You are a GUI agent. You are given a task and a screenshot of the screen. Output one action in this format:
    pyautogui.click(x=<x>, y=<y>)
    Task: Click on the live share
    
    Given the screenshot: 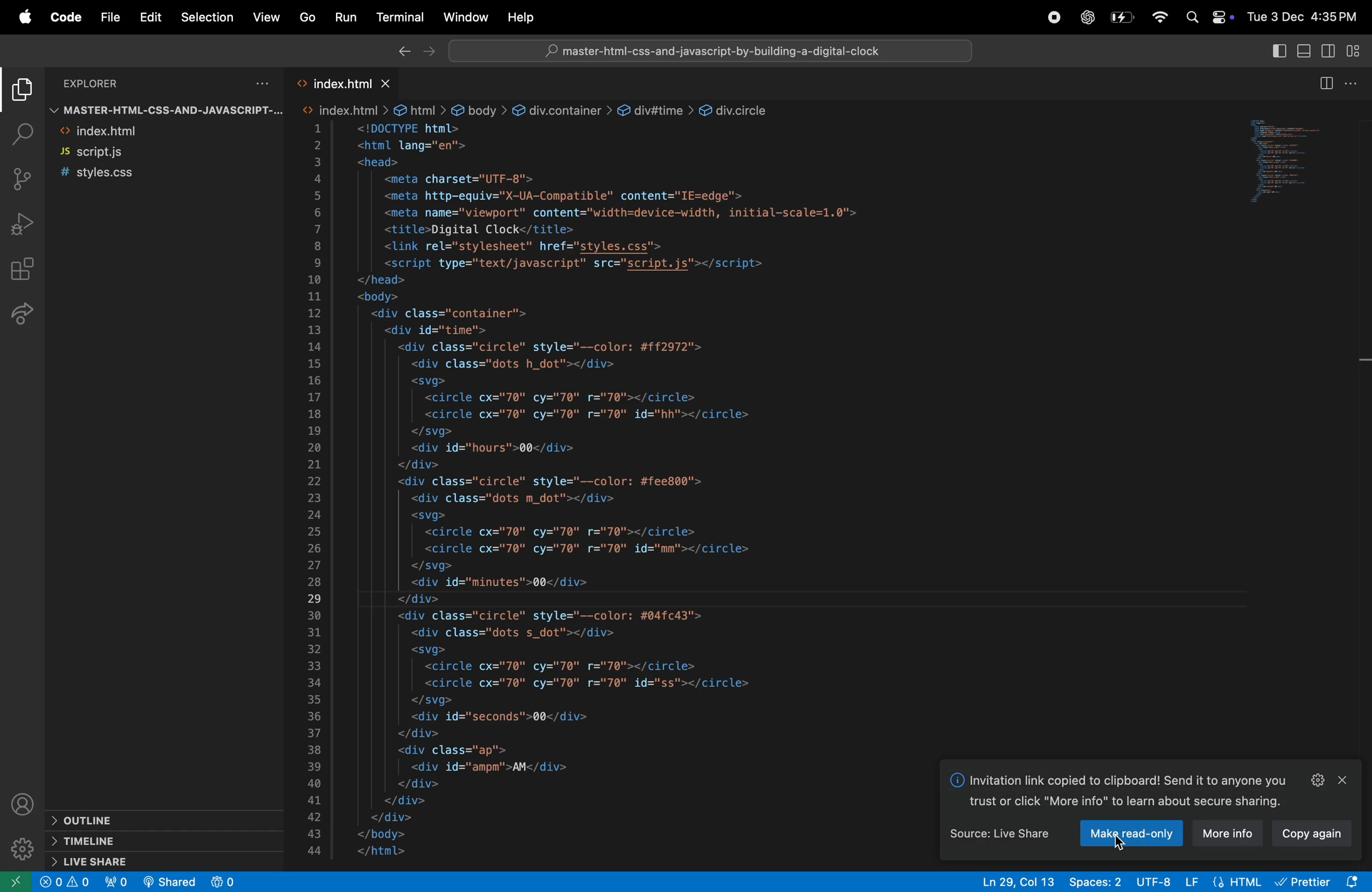 What is the action you would take?
    pyautogui.click(x=27, y=318)
    